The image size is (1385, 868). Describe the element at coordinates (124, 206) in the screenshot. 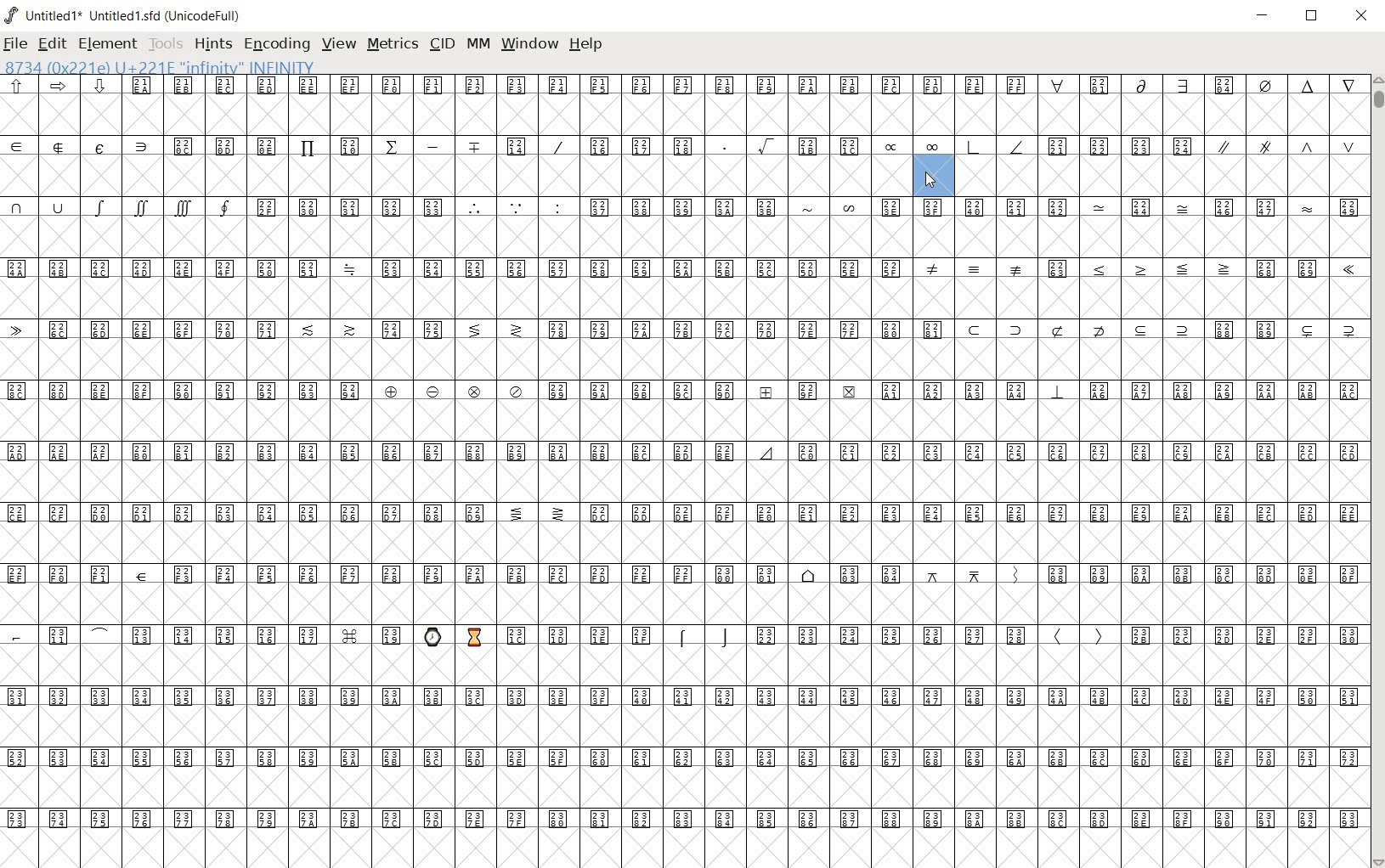

I see `symbols` at that location.